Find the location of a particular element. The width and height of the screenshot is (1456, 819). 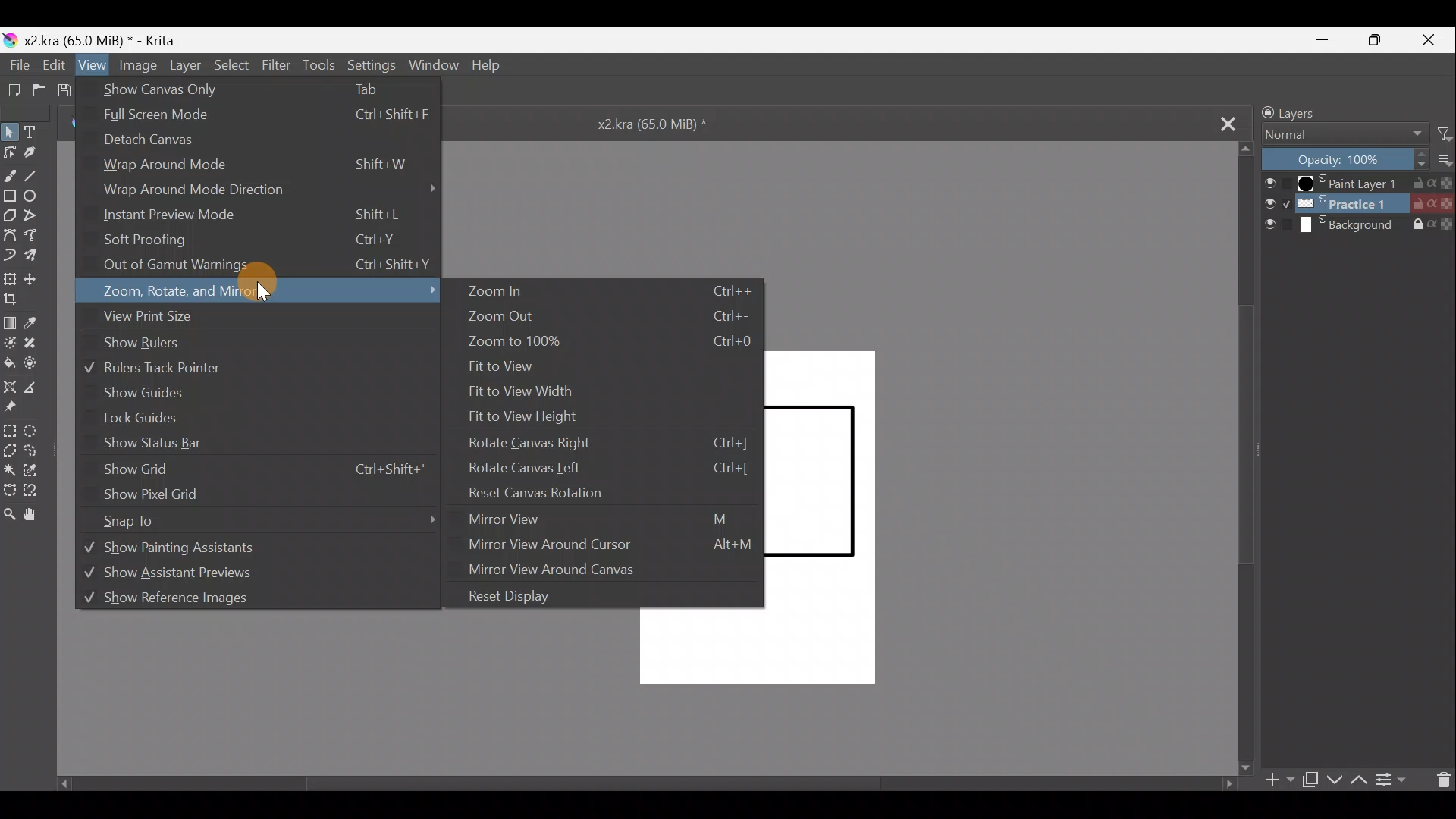

Tools is located at coordinates (318, 65).